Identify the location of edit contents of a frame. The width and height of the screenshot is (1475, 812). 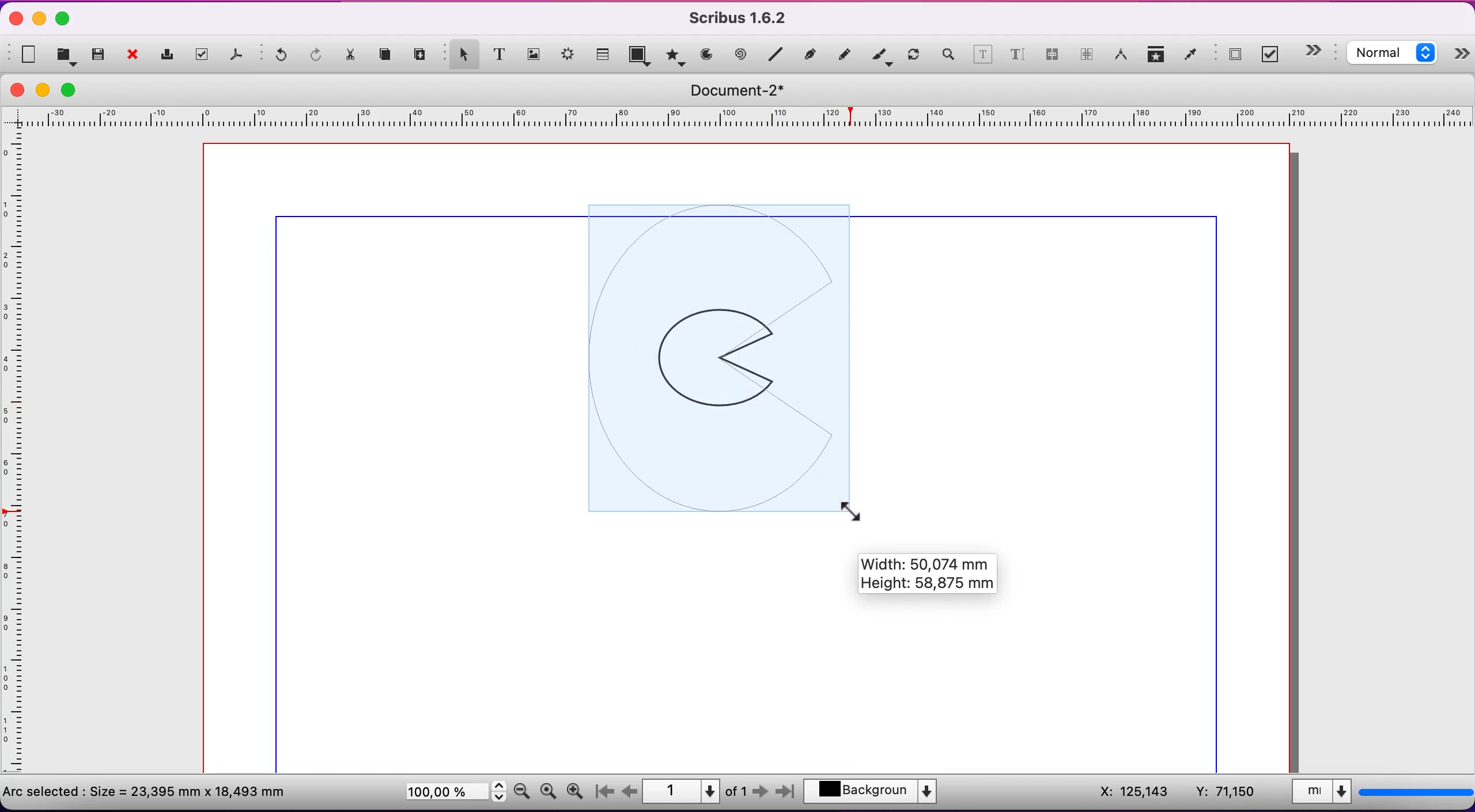
(983, 56).